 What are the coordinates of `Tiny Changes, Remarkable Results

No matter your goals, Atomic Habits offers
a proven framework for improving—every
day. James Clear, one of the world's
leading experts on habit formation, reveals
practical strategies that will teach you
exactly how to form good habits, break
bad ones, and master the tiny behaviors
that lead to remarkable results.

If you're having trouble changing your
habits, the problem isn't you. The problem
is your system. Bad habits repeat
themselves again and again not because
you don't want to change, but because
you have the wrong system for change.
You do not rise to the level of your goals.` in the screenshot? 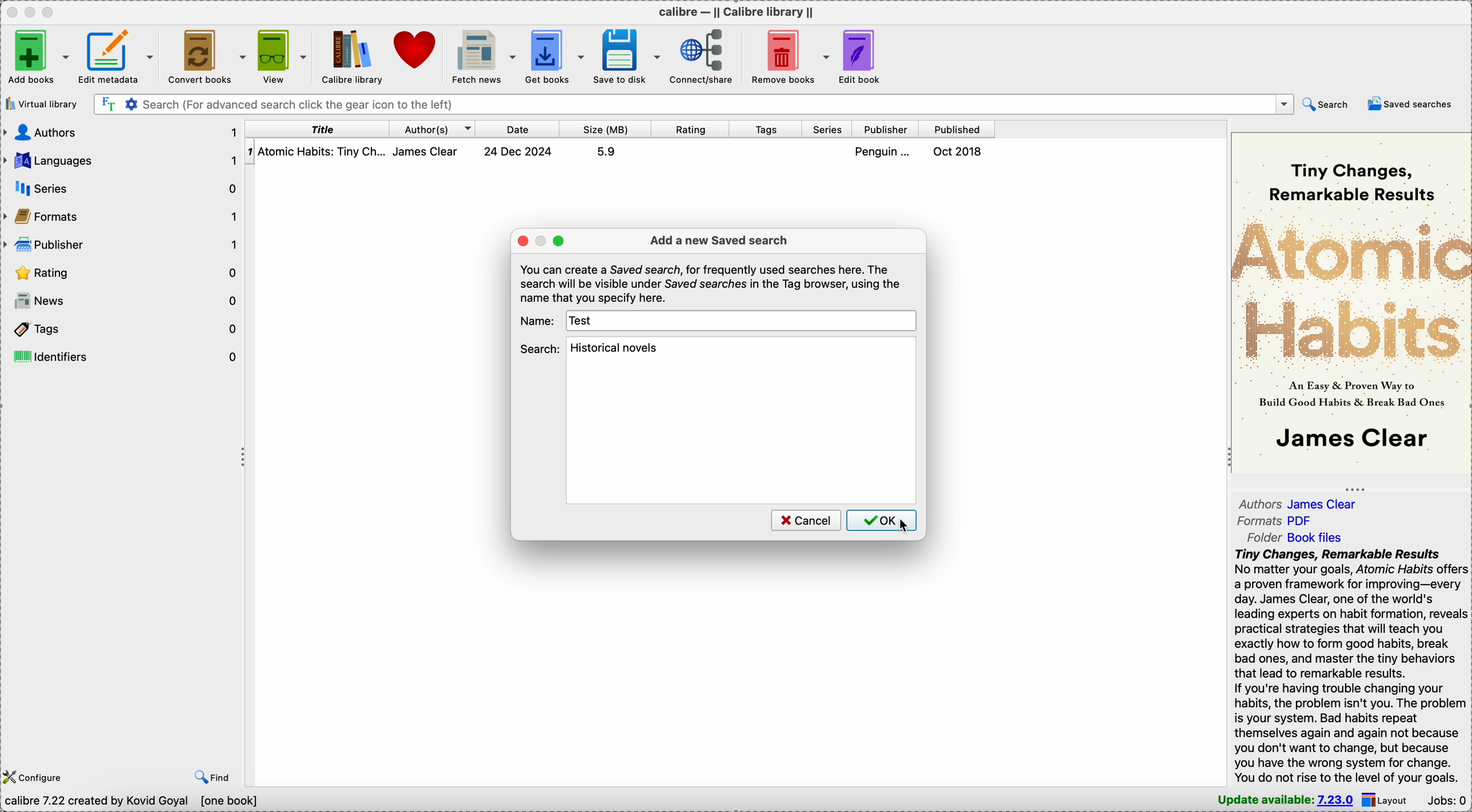 It's located at (1343, 667).